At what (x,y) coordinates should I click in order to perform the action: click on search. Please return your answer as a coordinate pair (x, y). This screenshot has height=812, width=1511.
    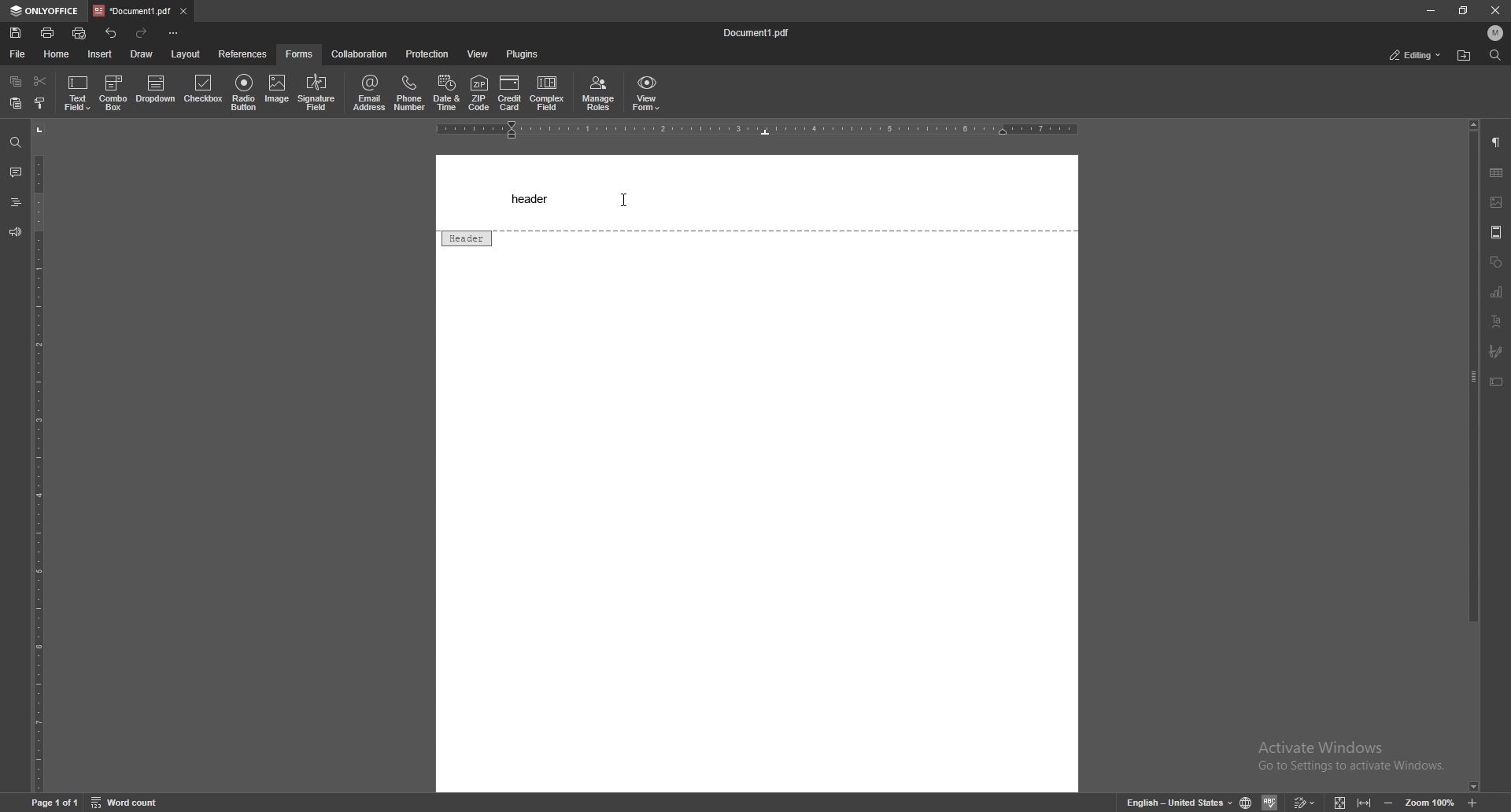
    Looking at the image, I should click on (14, 142).